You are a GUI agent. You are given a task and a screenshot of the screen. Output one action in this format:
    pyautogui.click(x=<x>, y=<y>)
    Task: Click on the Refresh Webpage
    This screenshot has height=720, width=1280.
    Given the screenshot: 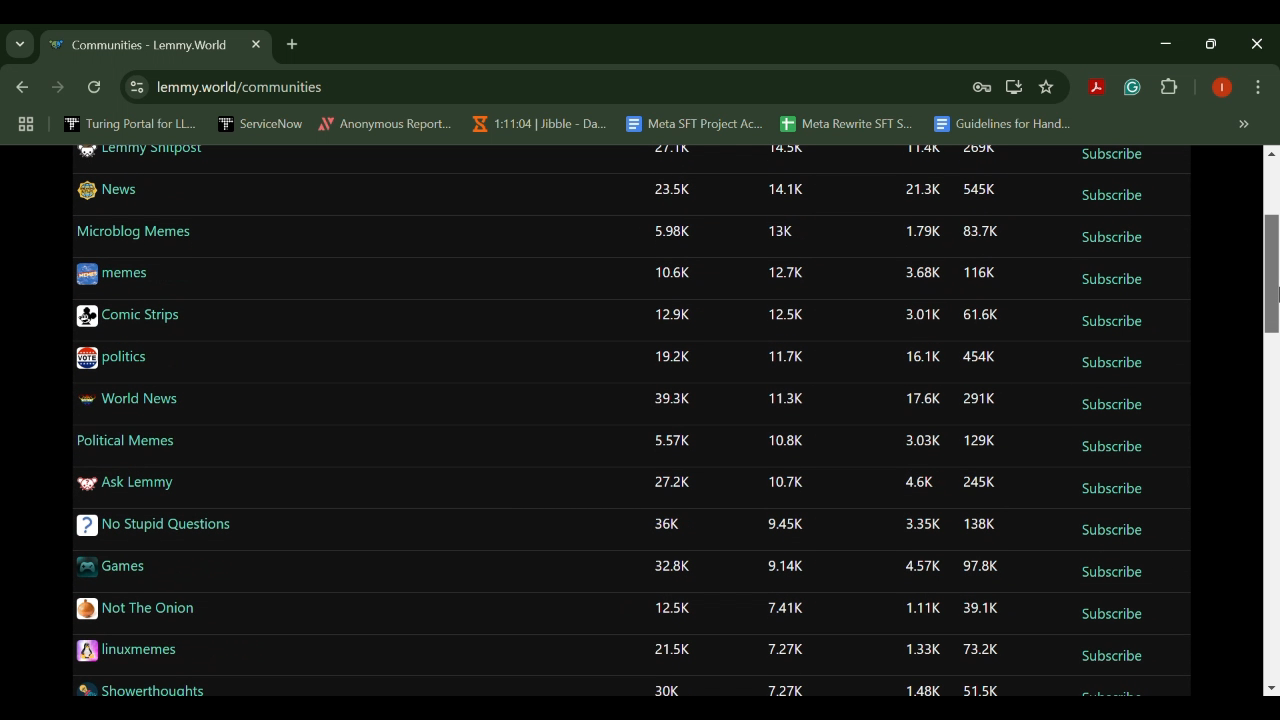 What is the action you would take?
    pyautogui.click(x=96, y=89)
    